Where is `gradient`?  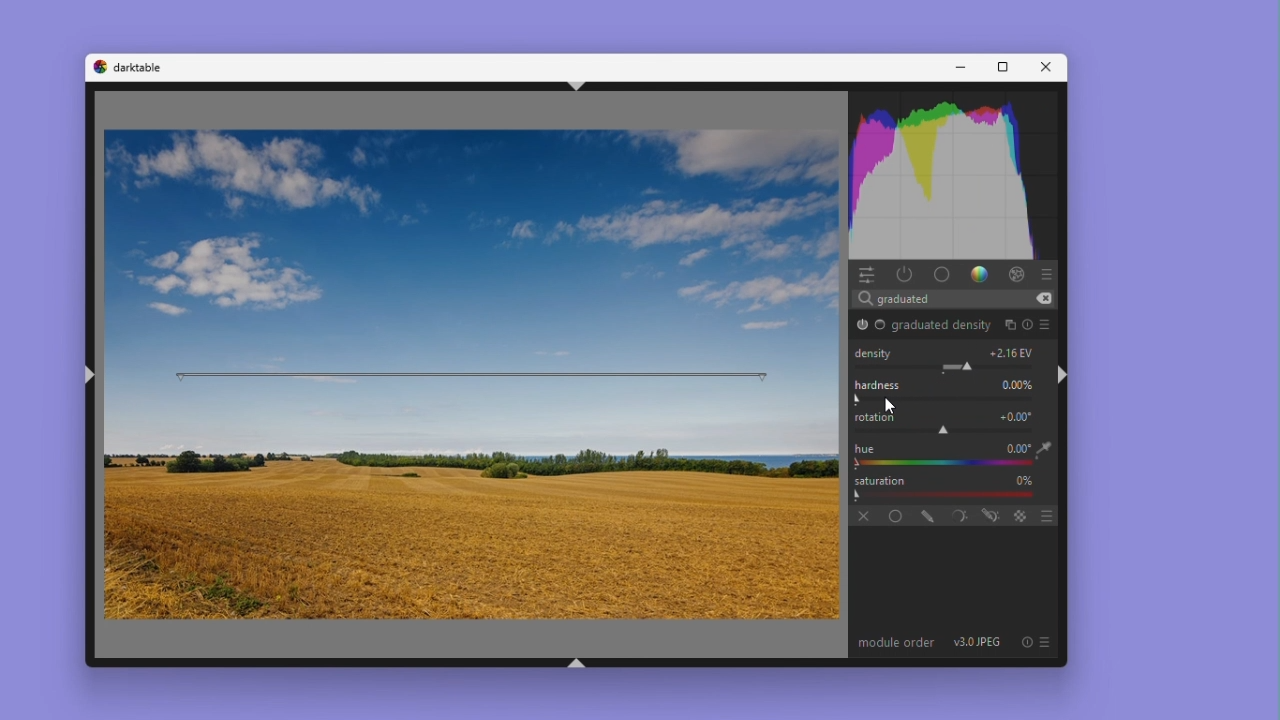
gradient is located at coordinates (977, 273).